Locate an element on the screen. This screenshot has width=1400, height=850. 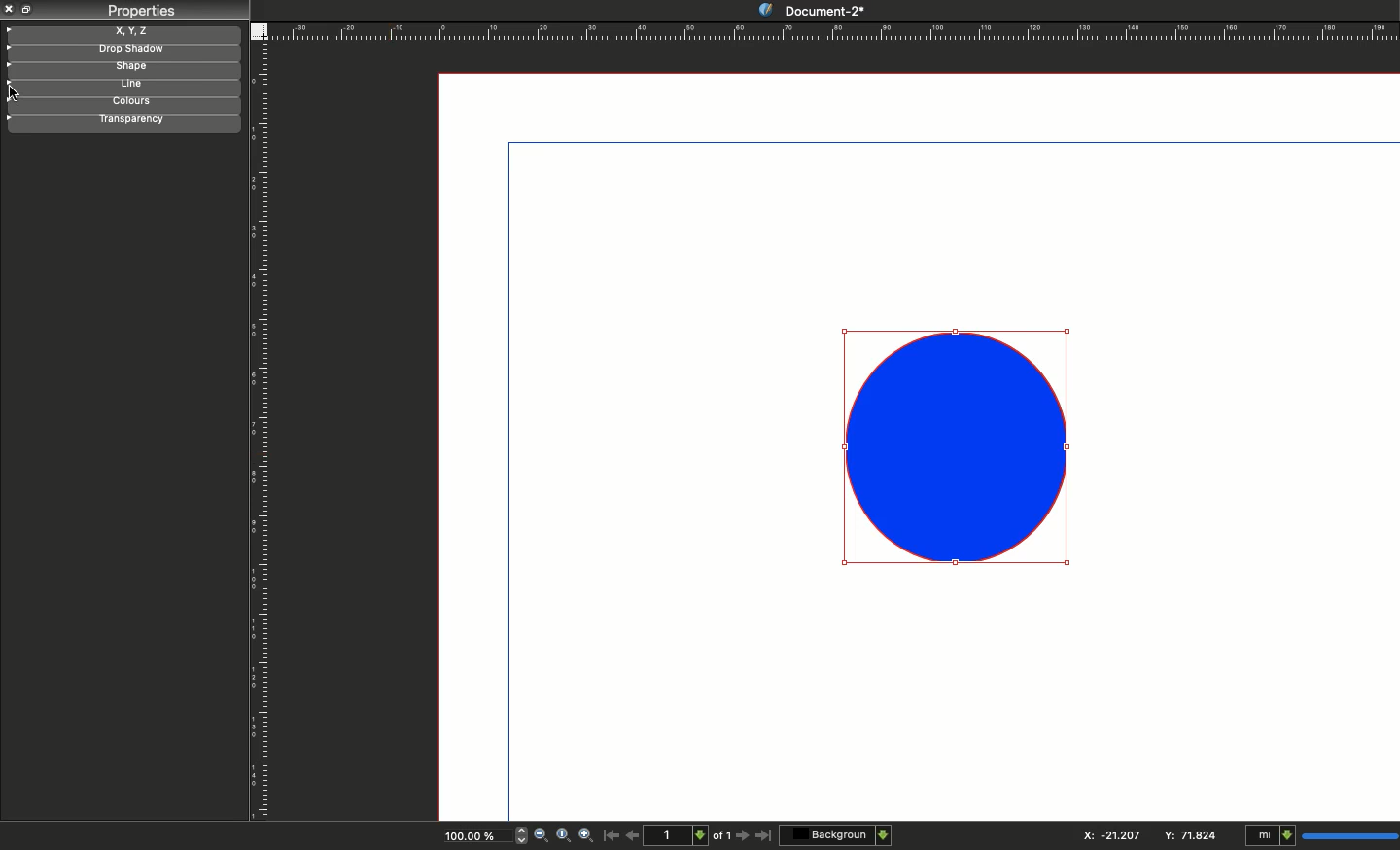
Ruler is located at coordinates (833, 31).